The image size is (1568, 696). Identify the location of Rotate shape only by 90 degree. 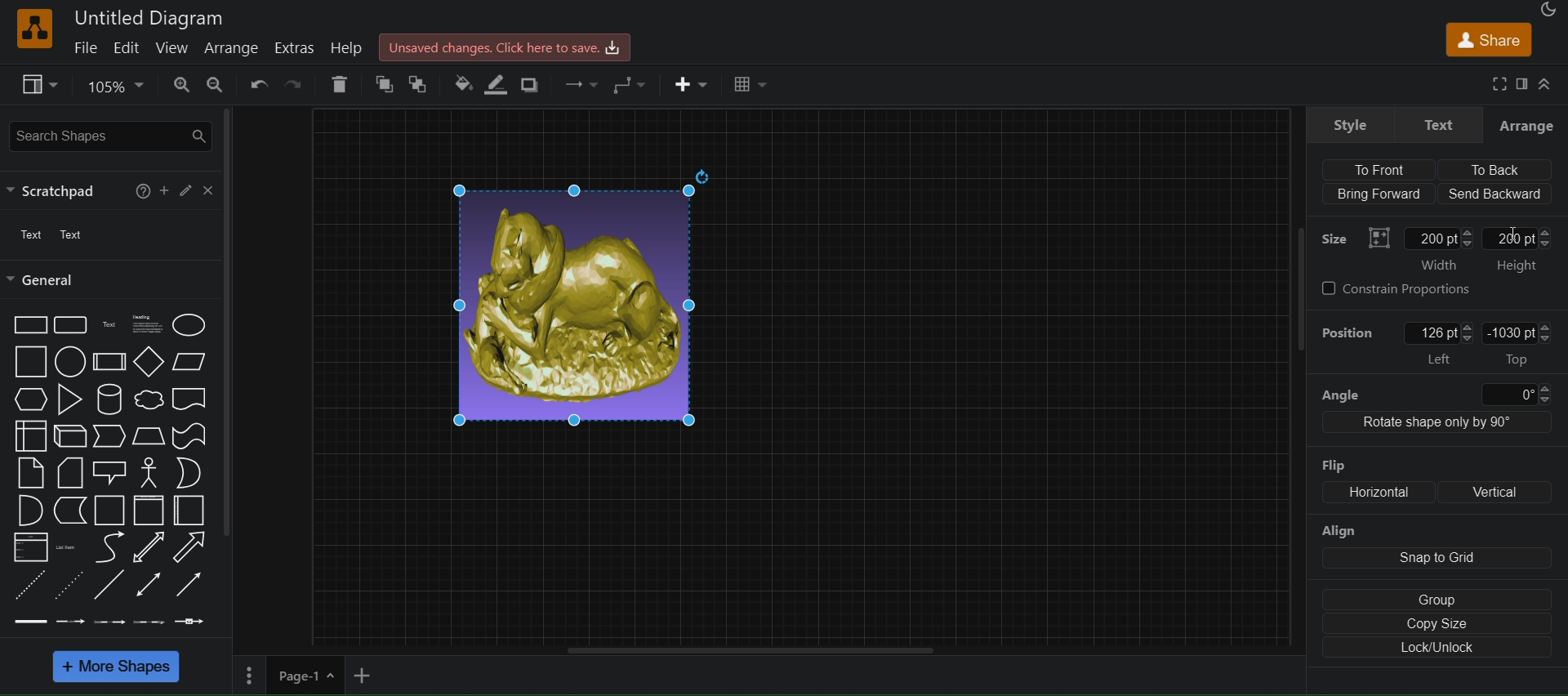
(1436, 425).